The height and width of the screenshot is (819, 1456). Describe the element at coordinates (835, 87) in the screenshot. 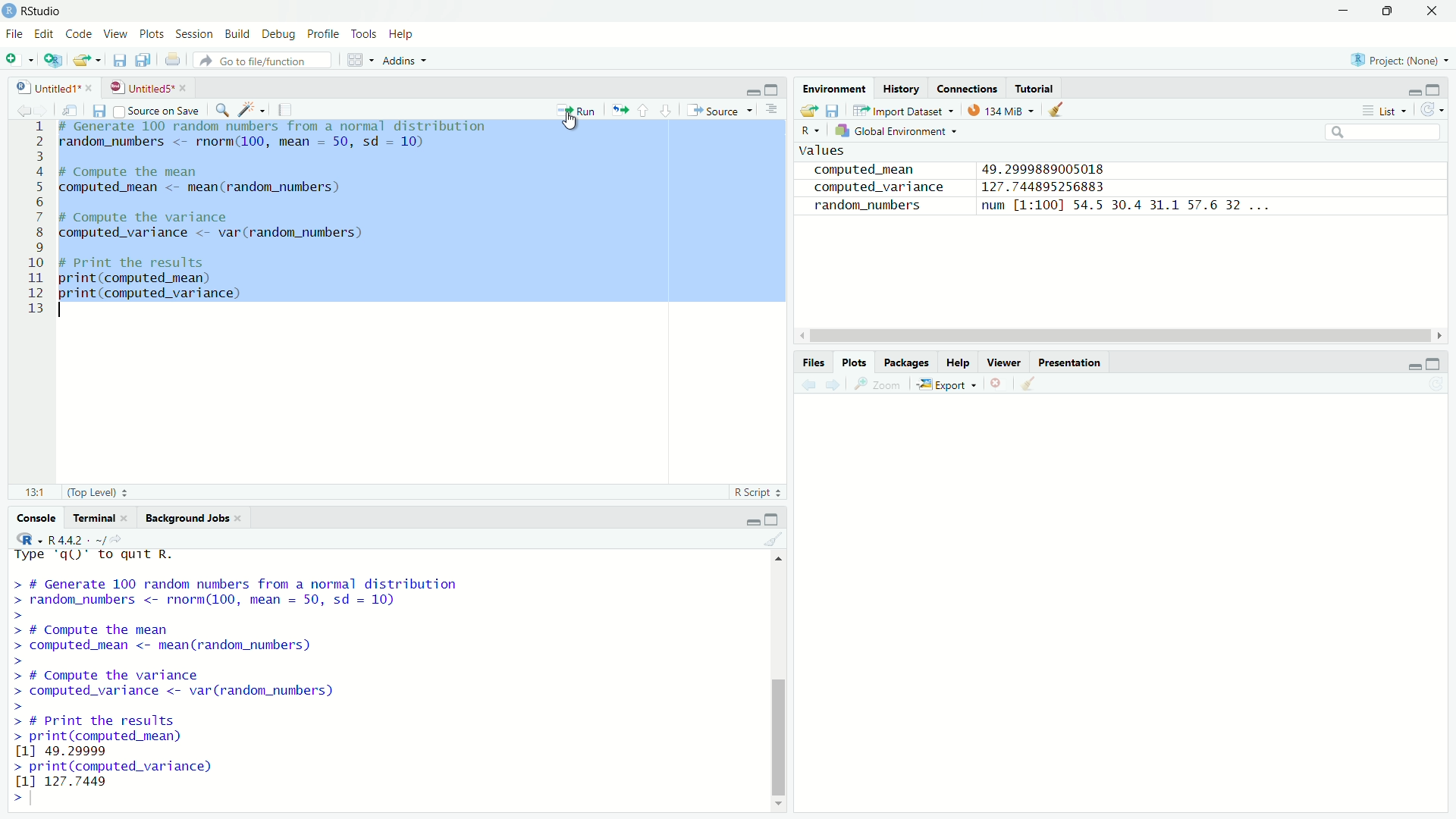

I see `environment` at that location.